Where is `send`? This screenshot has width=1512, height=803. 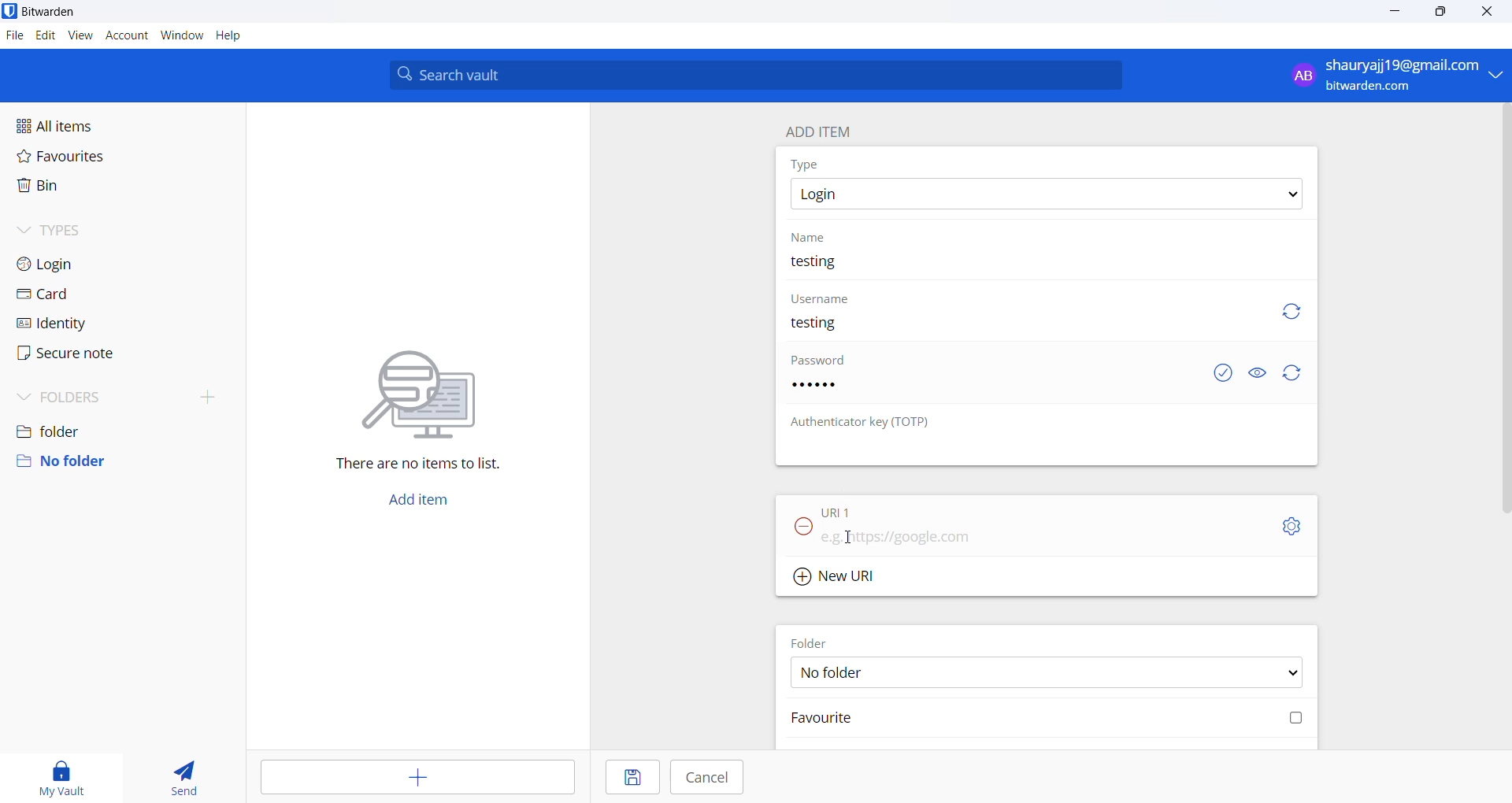
send is located at coordinates (186, 775).